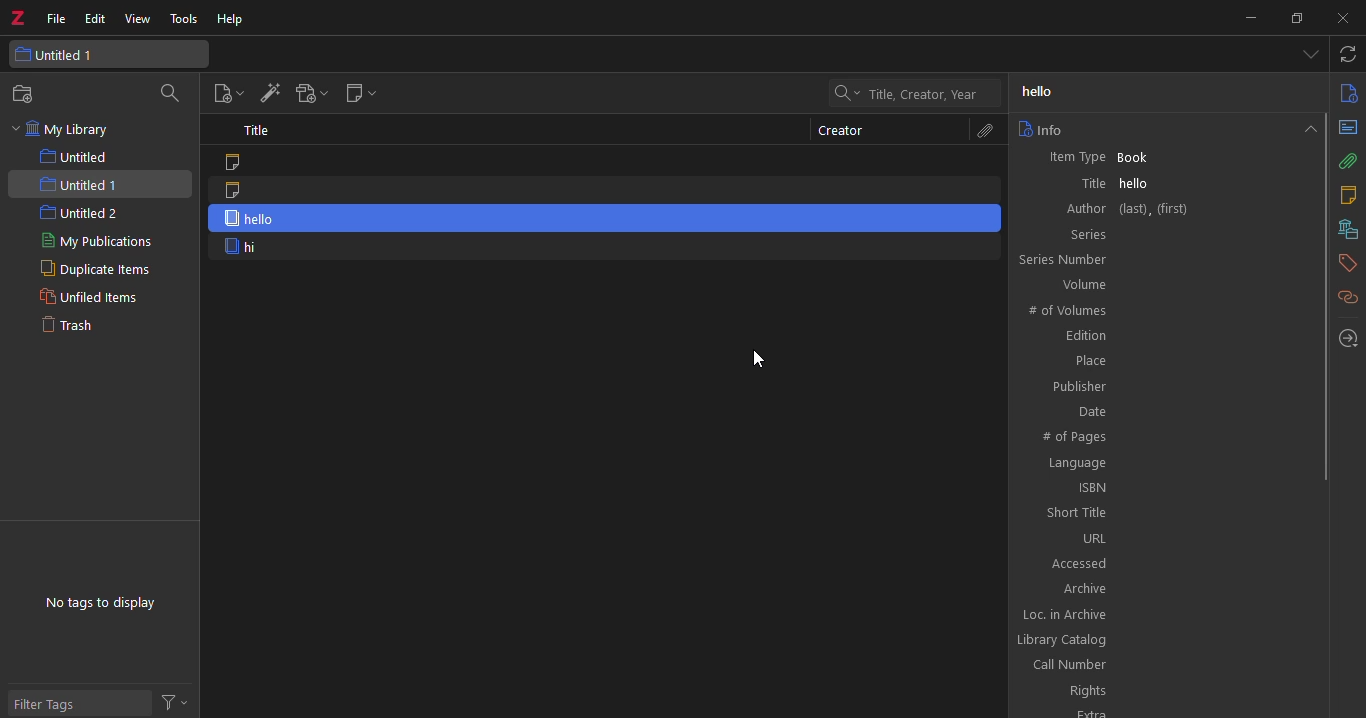  I want to click on library catalog, so click(1157, 641).